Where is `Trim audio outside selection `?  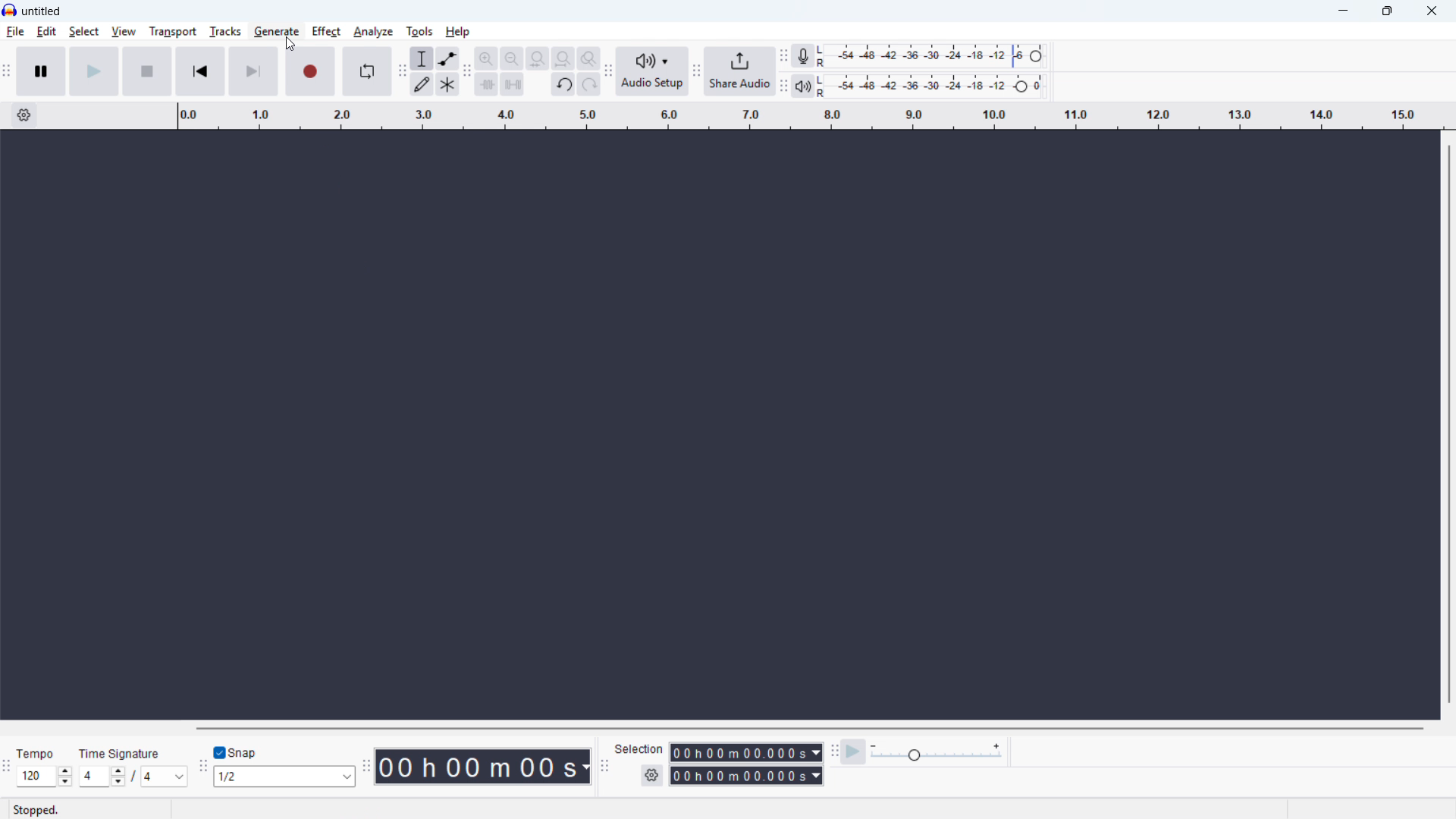 Trim audio outside selection  is located at coordinates (487, 83).